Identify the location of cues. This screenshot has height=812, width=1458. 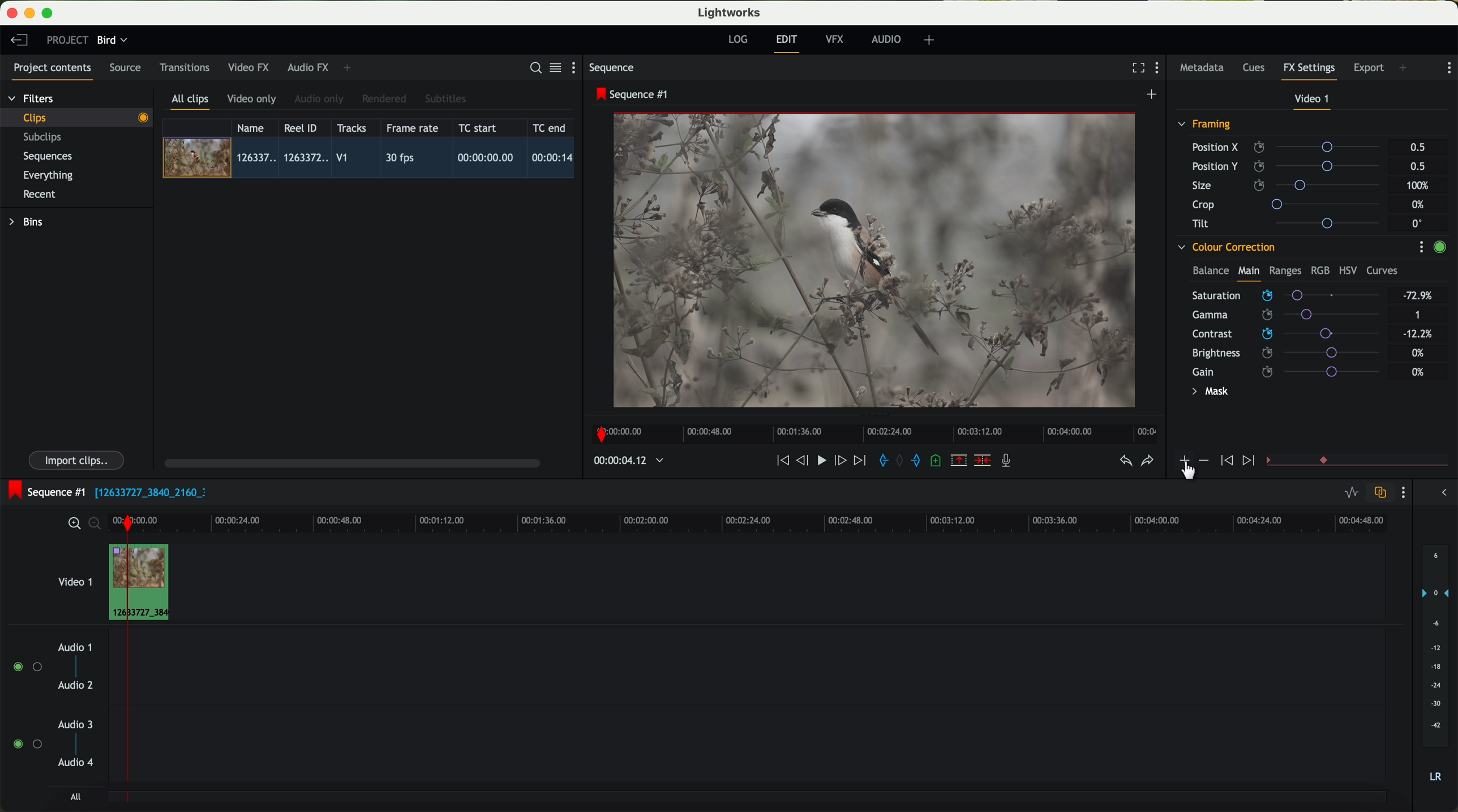
(1257, 68).